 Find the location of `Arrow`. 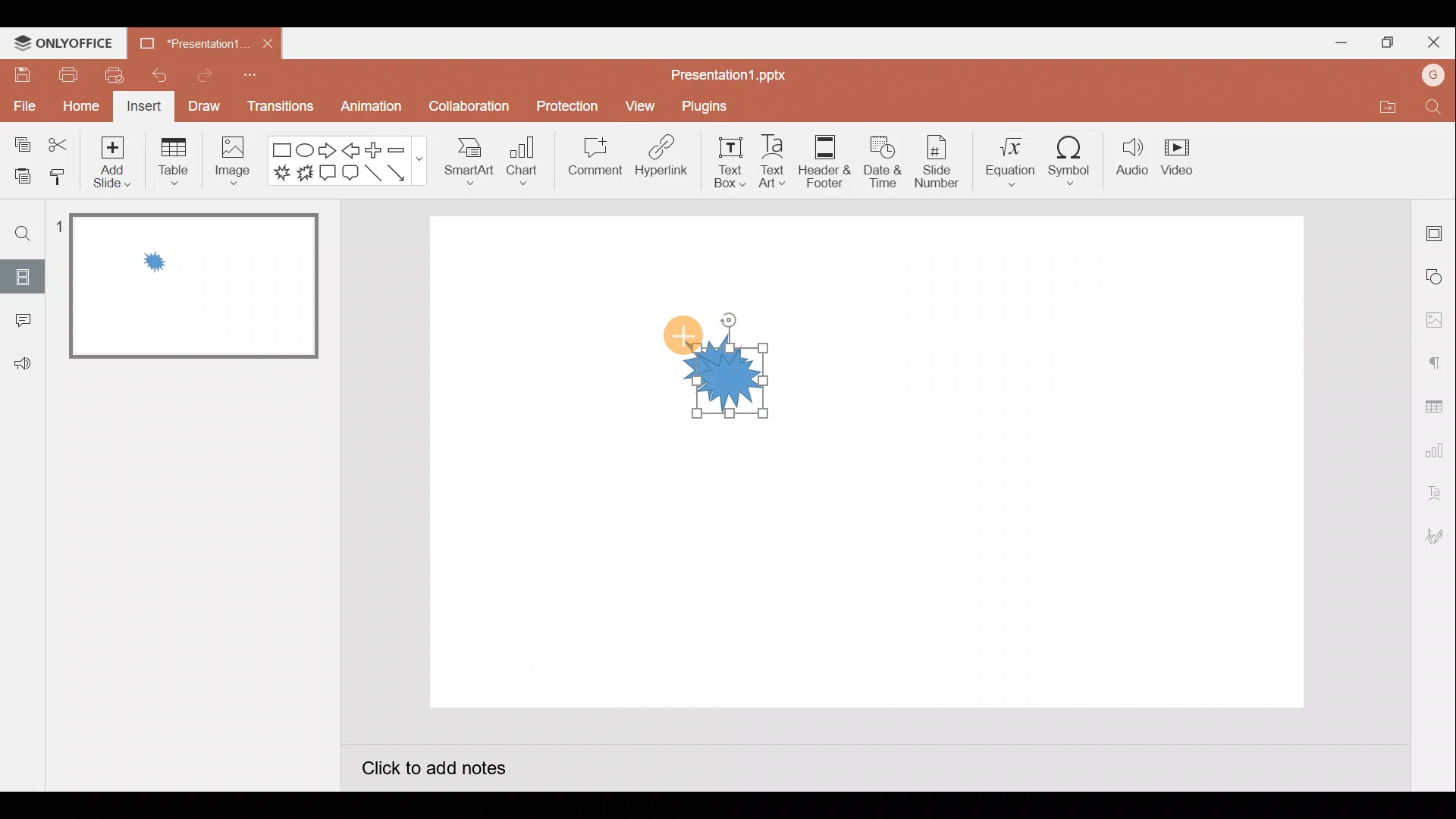

Arrow is located at coordinates (401, 174).